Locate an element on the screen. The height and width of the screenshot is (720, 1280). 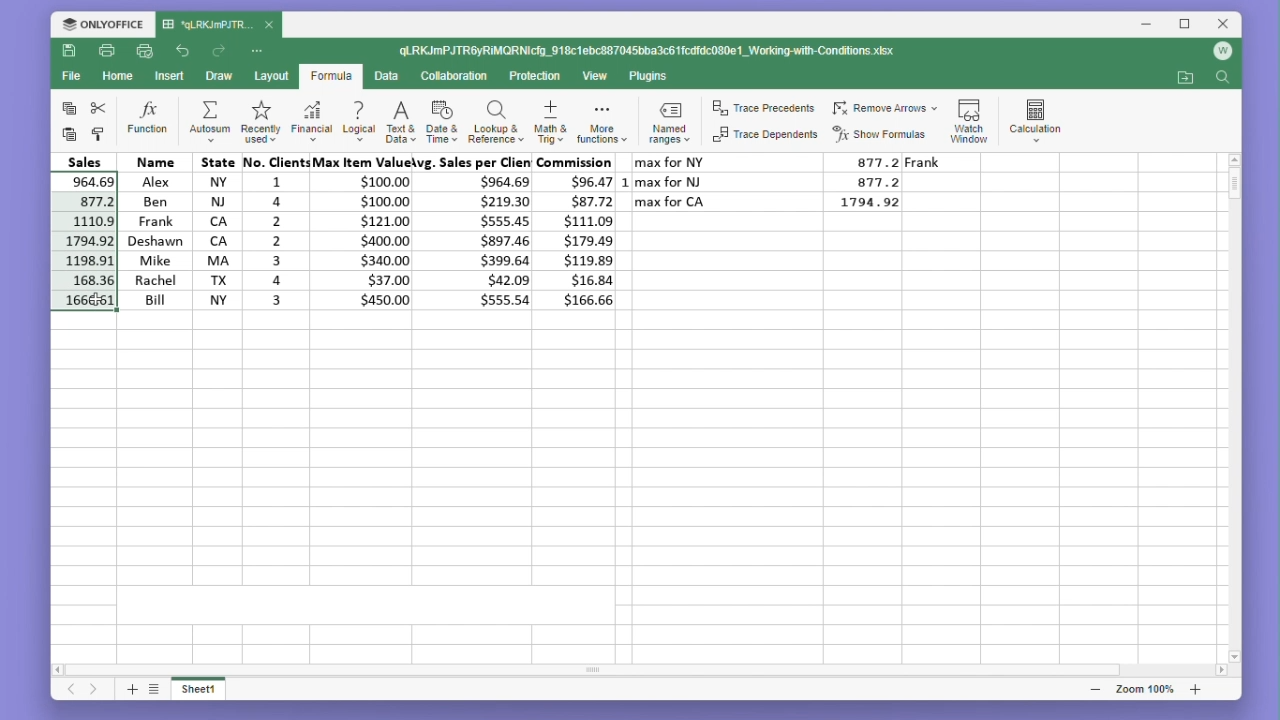
'qLRKJmJTR... is located at coordinates (206, 25).